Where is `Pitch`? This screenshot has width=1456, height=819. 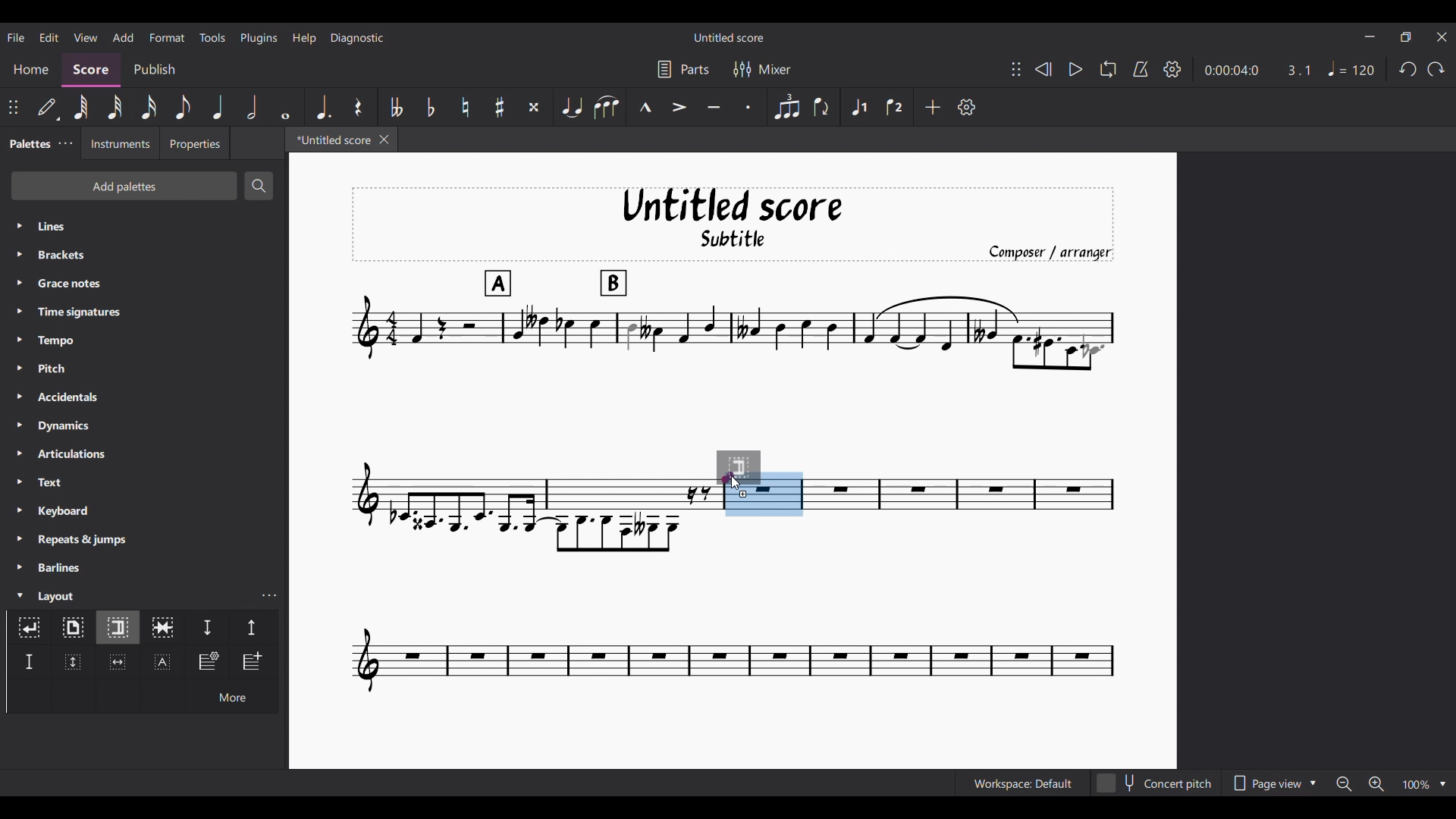 Pitch is located at coordinates (144, 368).